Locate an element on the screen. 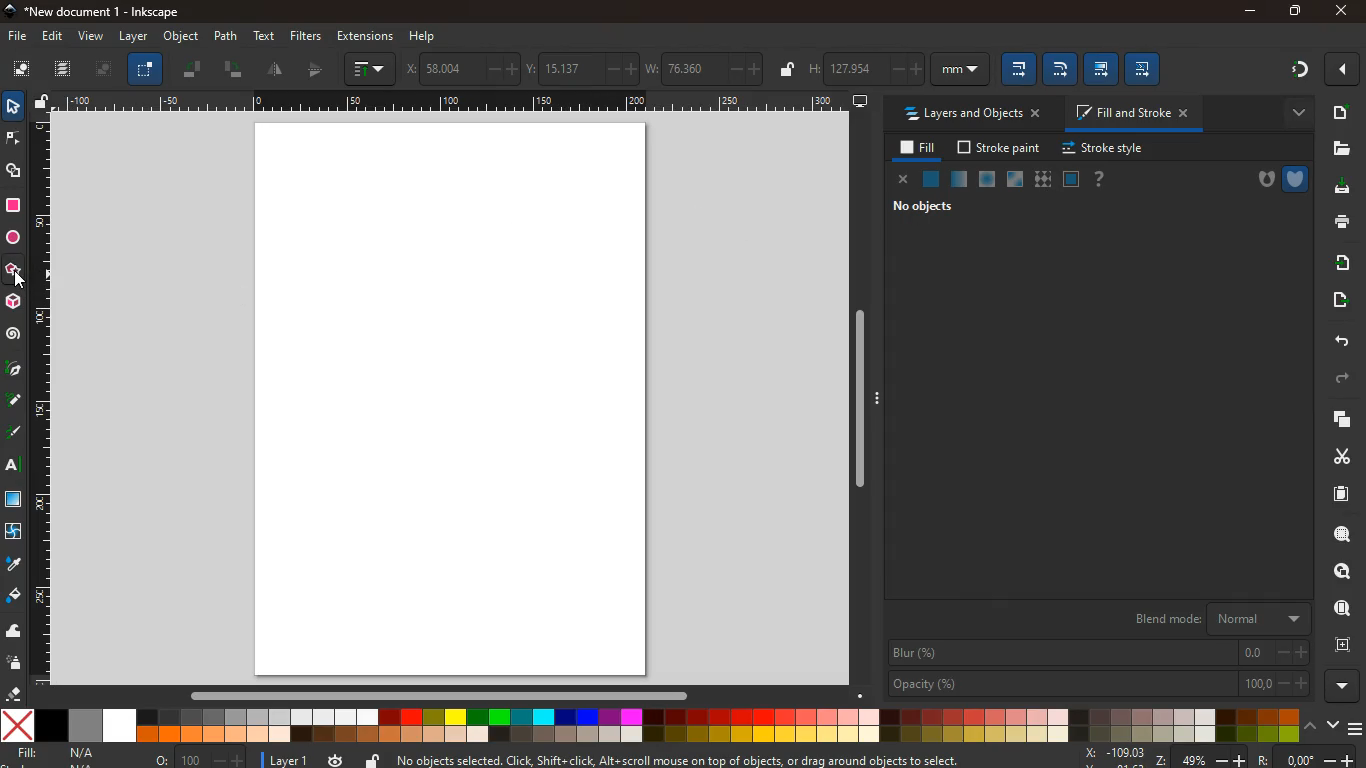 The height and width of the screenshot is (768, 1366). blend mode is located at coordinates (1209, 618).